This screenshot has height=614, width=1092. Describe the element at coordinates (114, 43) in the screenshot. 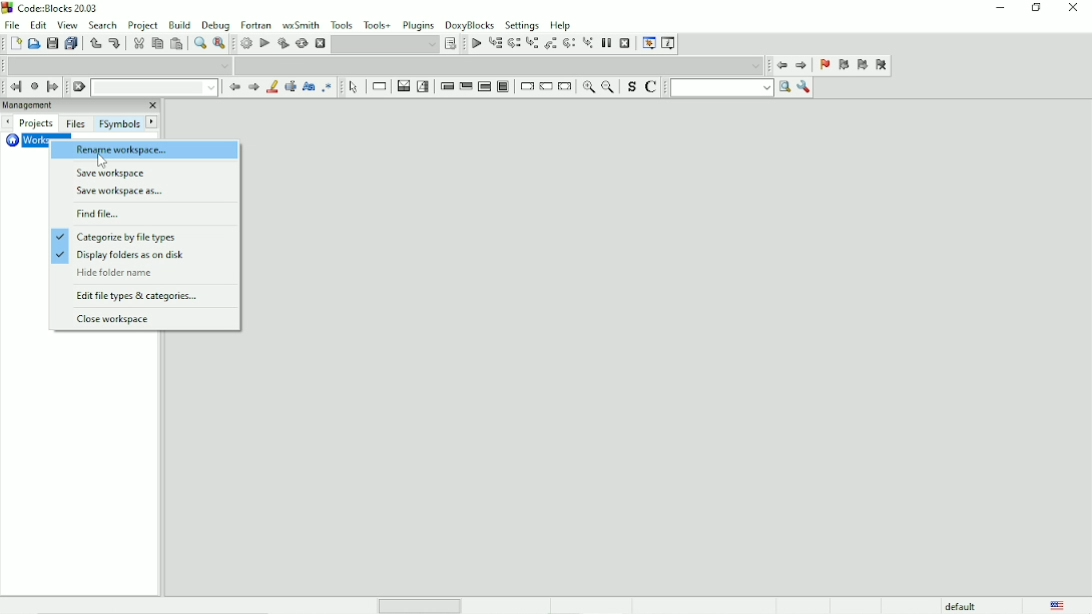

I see `Redo` at that location.